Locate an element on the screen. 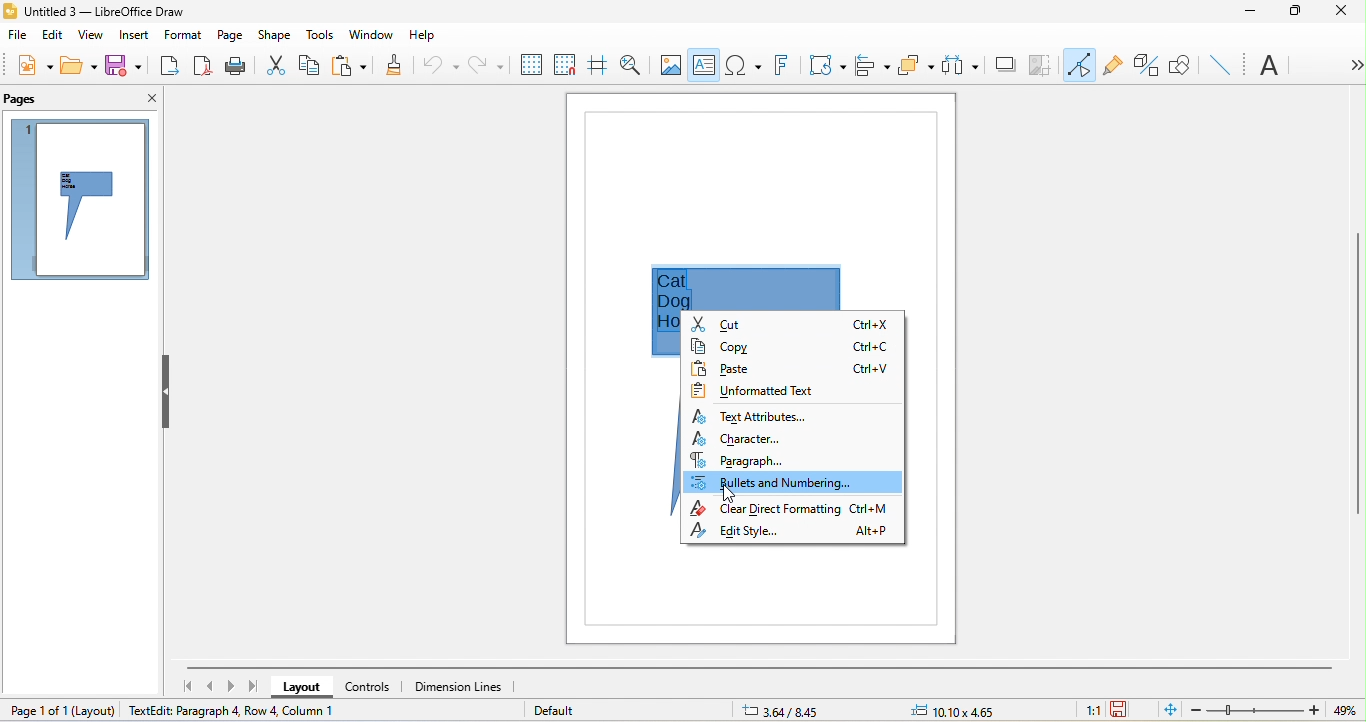 The image size is (1366, 722). print is located at coordinates (236, 68).